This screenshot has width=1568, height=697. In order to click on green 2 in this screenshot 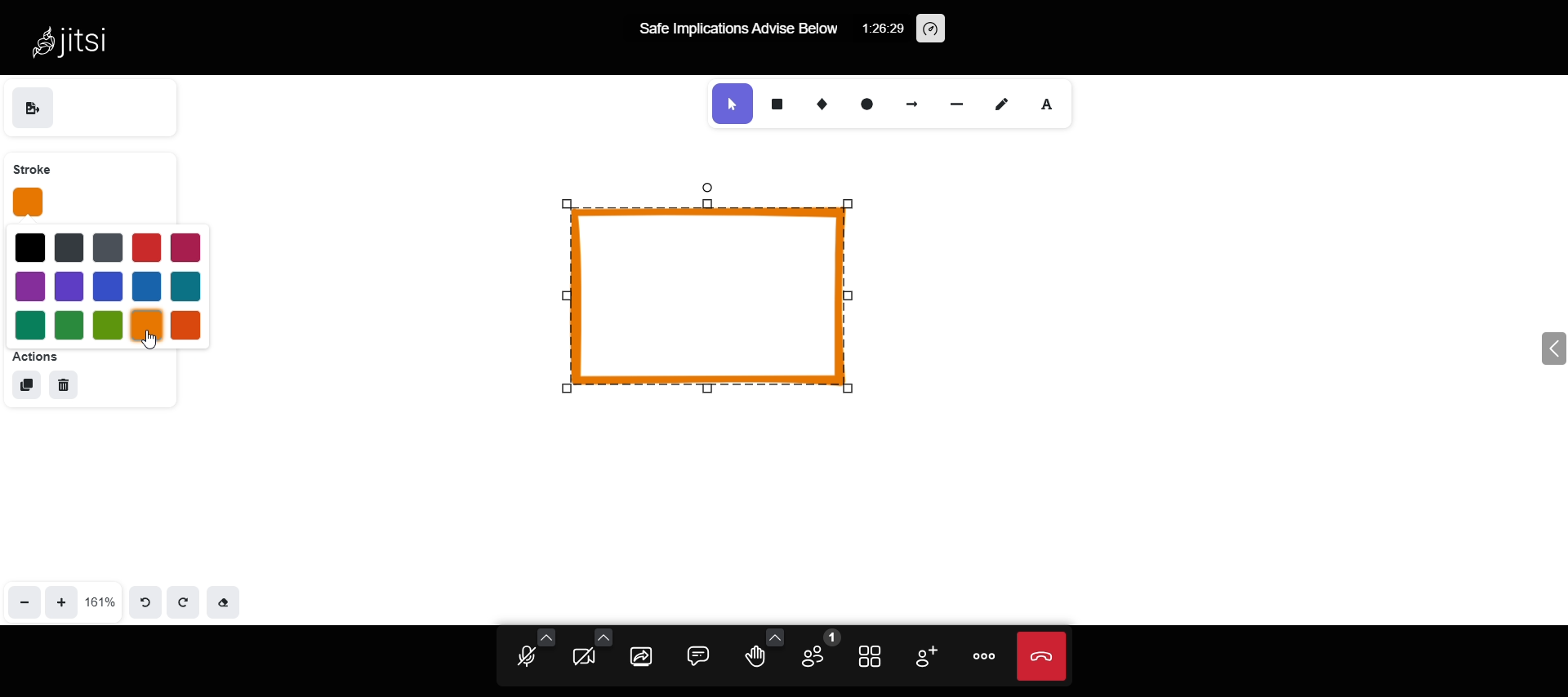, I will do `click(68, 325)`.